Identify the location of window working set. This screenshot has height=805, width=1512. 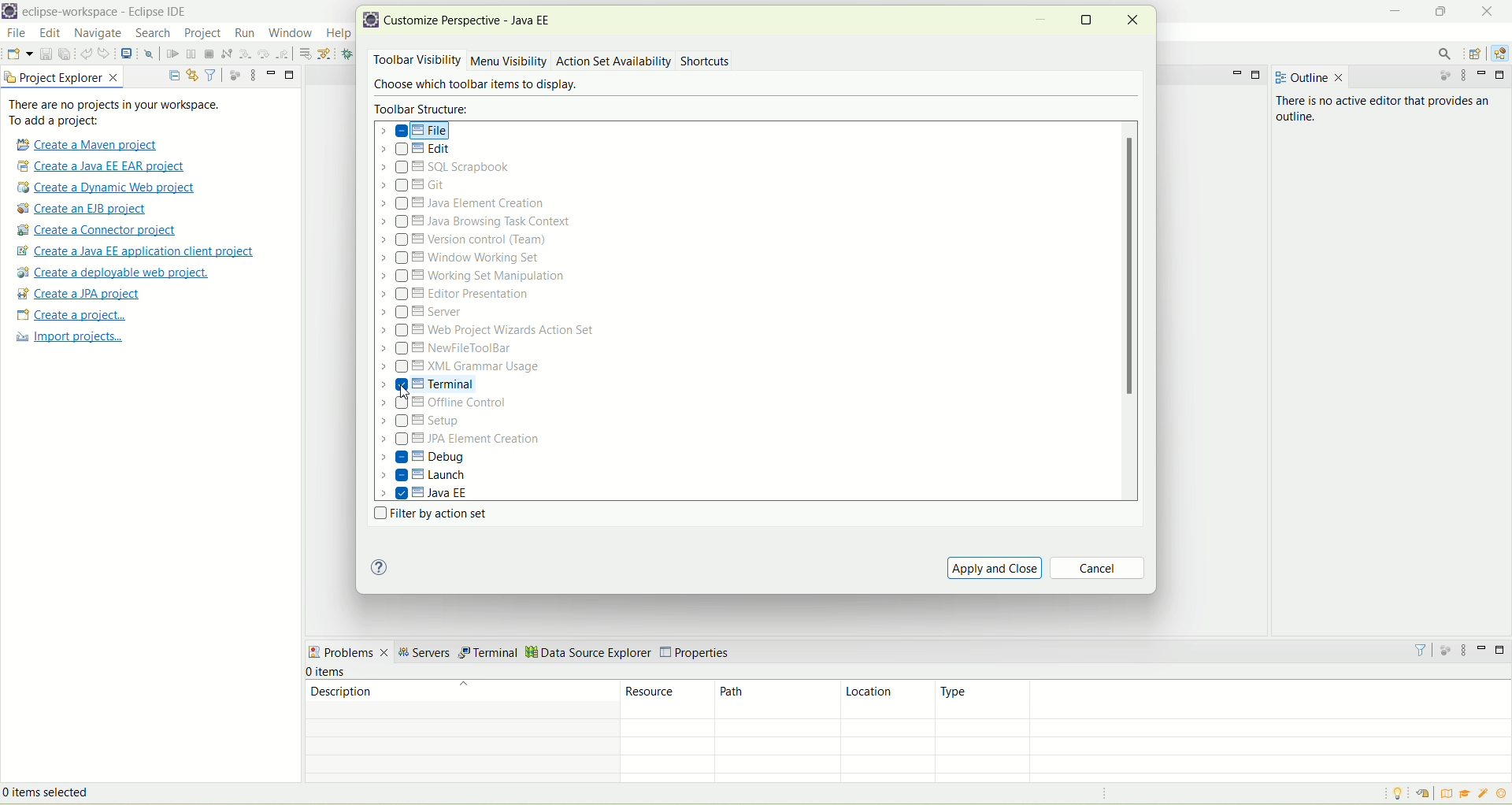
(462, 258).